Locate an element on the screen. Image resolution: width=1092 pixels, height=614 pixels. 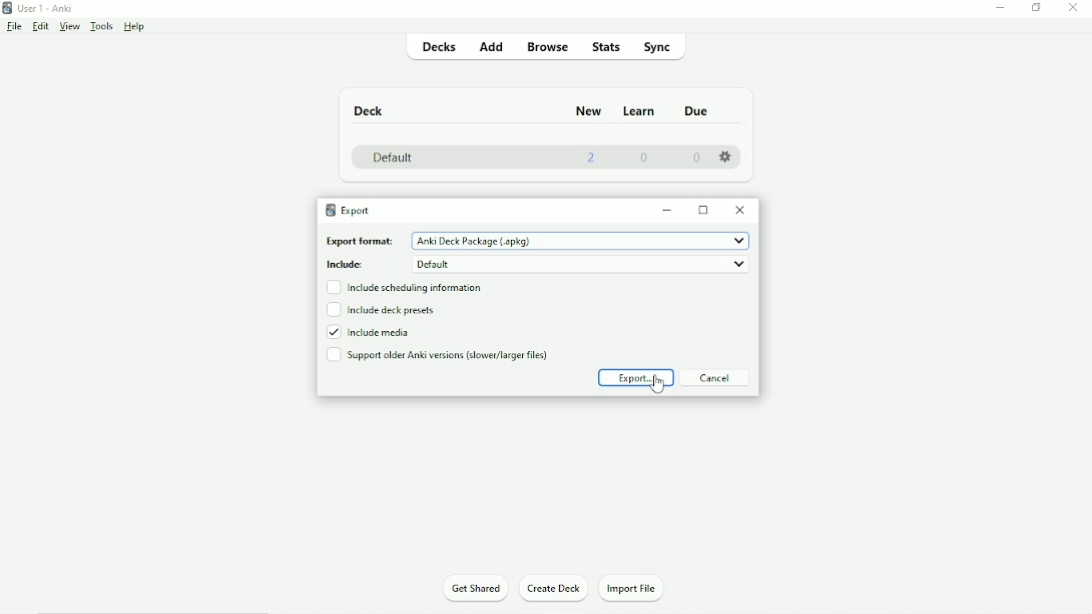
2 is located at coordinates (591, 159).